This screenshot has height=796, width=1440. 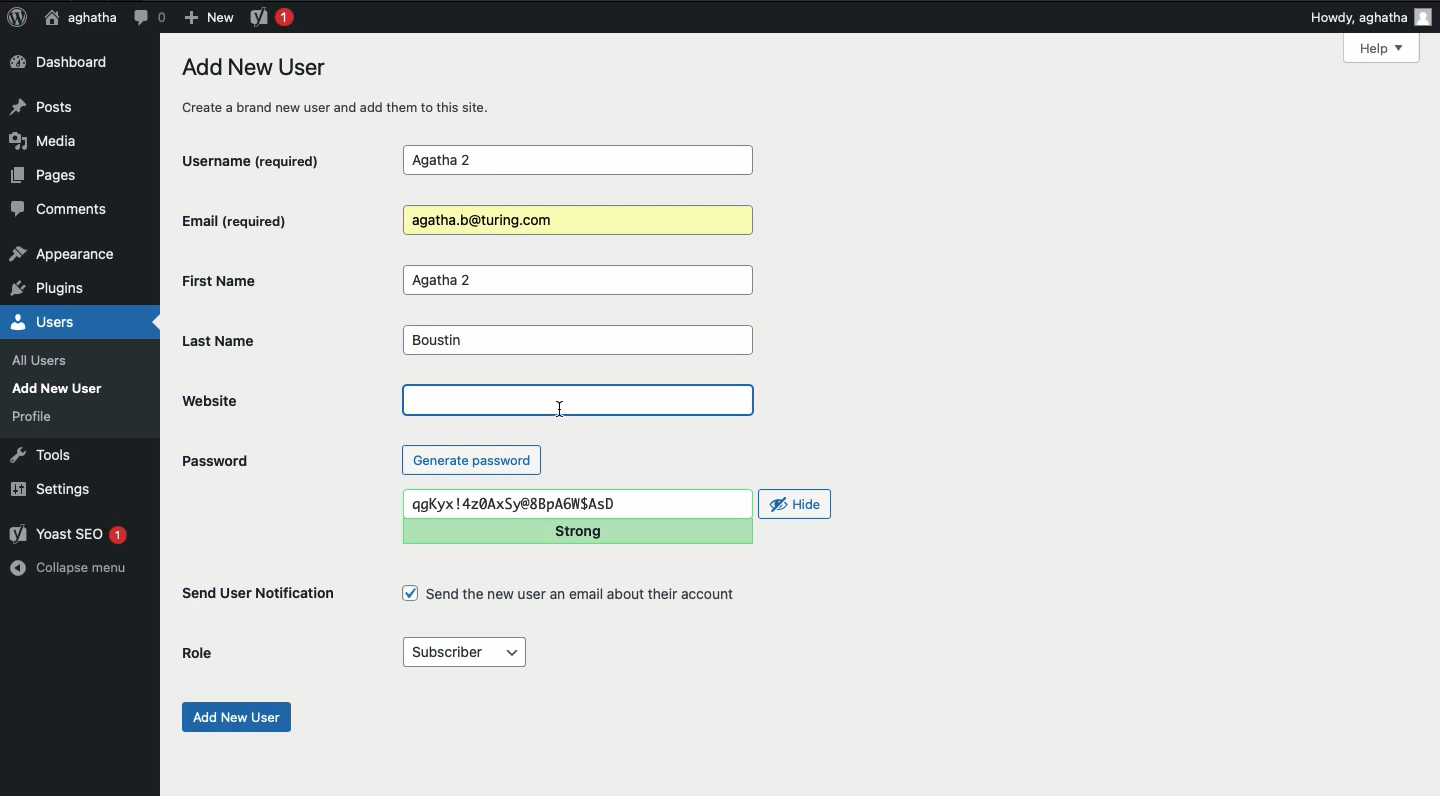 I want to click on Help, so click(x=1381, y=48).